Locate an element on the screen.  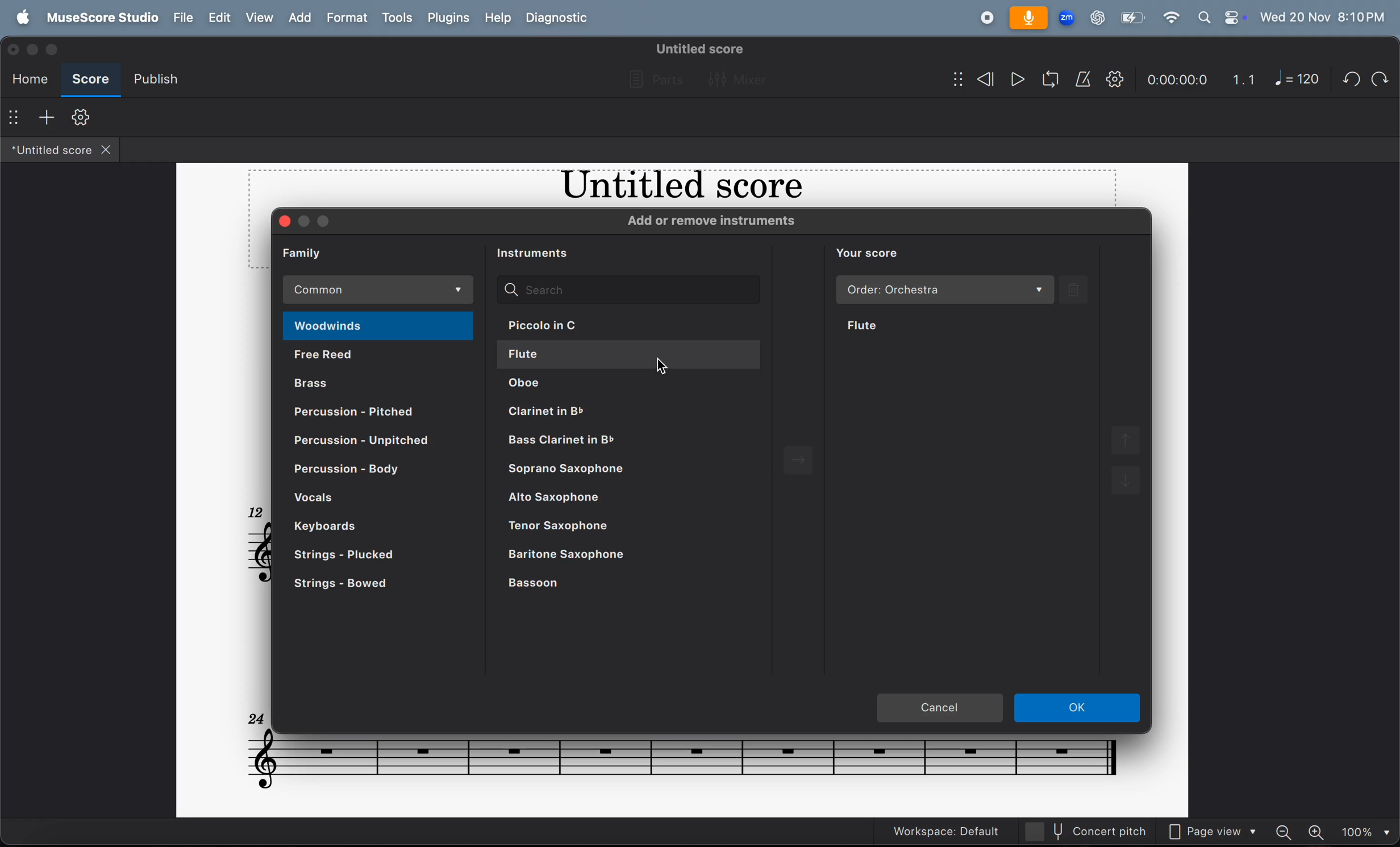
piccolo in c is located at coordinates (625, 326).